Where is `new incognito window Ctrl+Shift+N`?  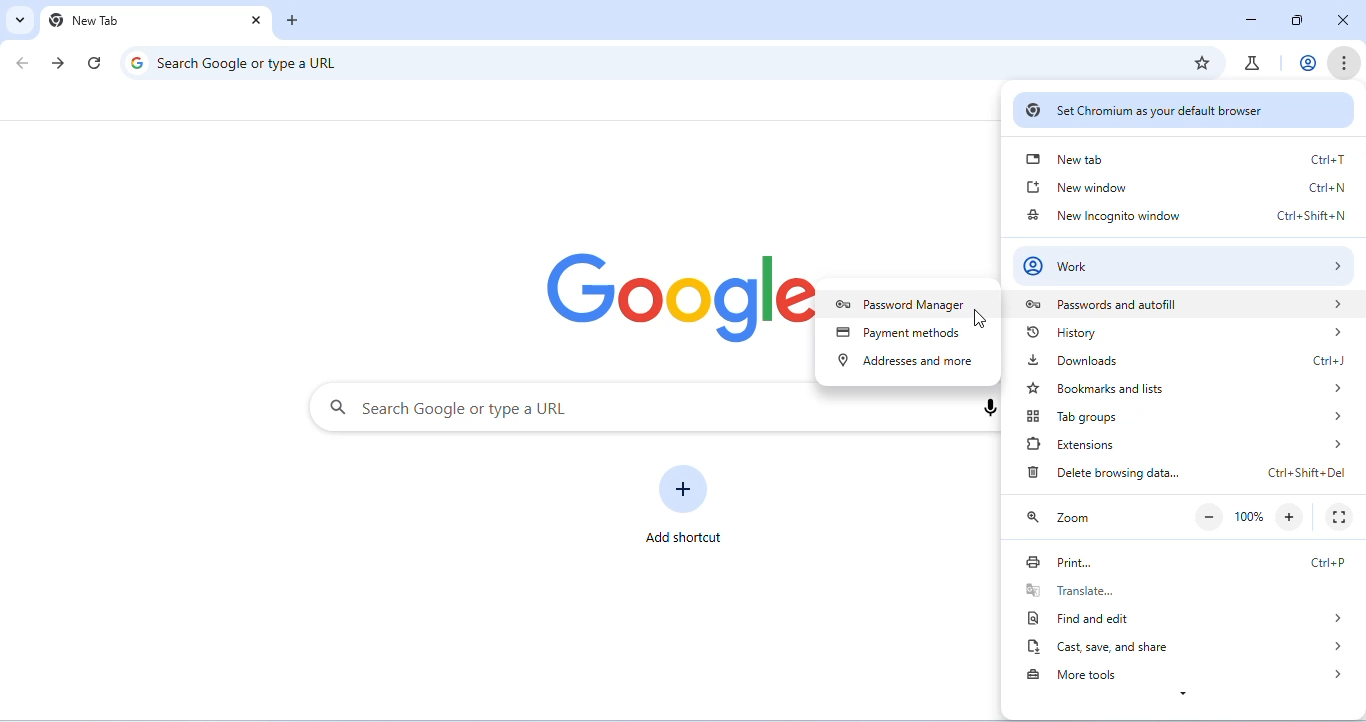 new incognito window Ctrl+Shift+N is located at coordinates (1185, 216).